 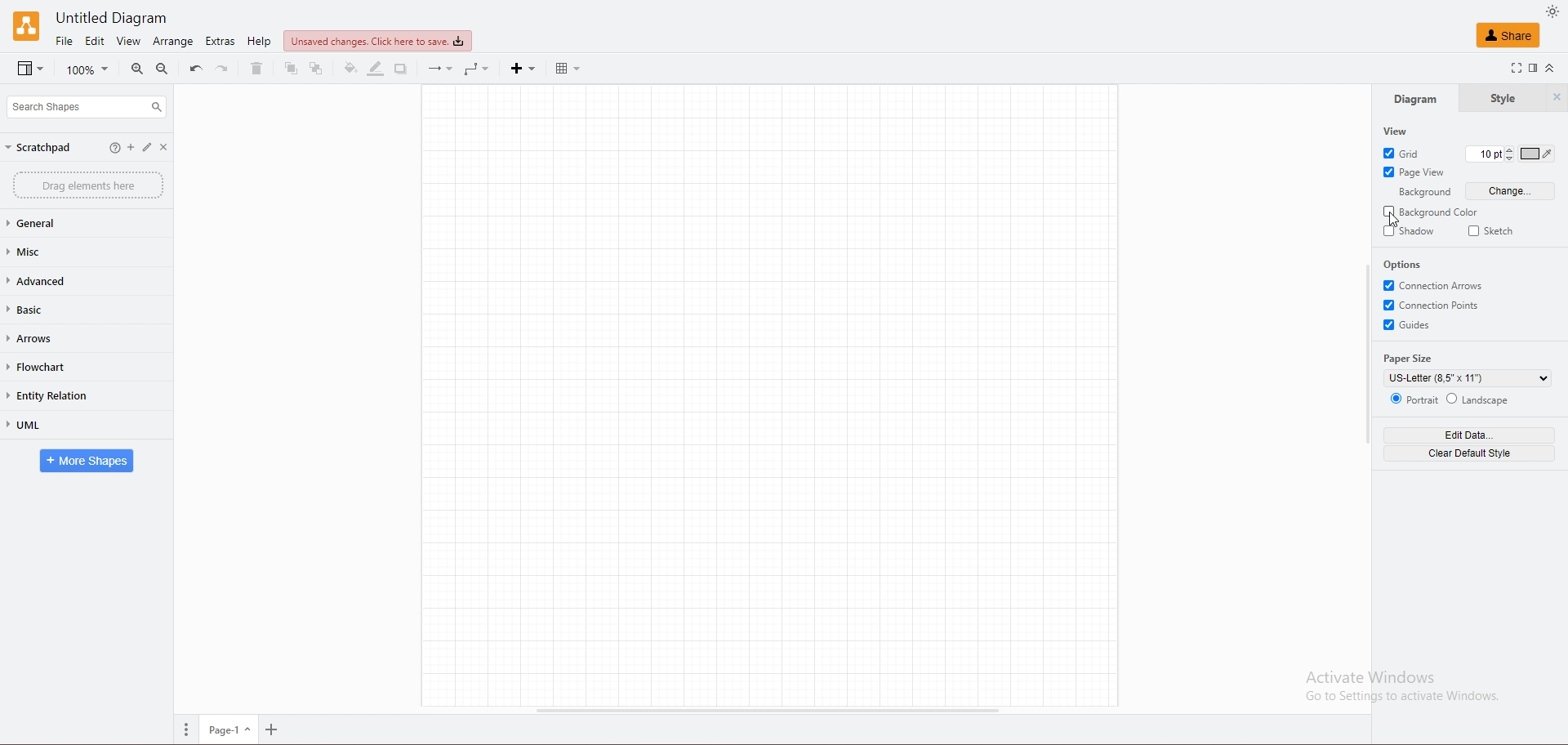 I want to click on vertical scroll bar, so click(x=1368, y=354).